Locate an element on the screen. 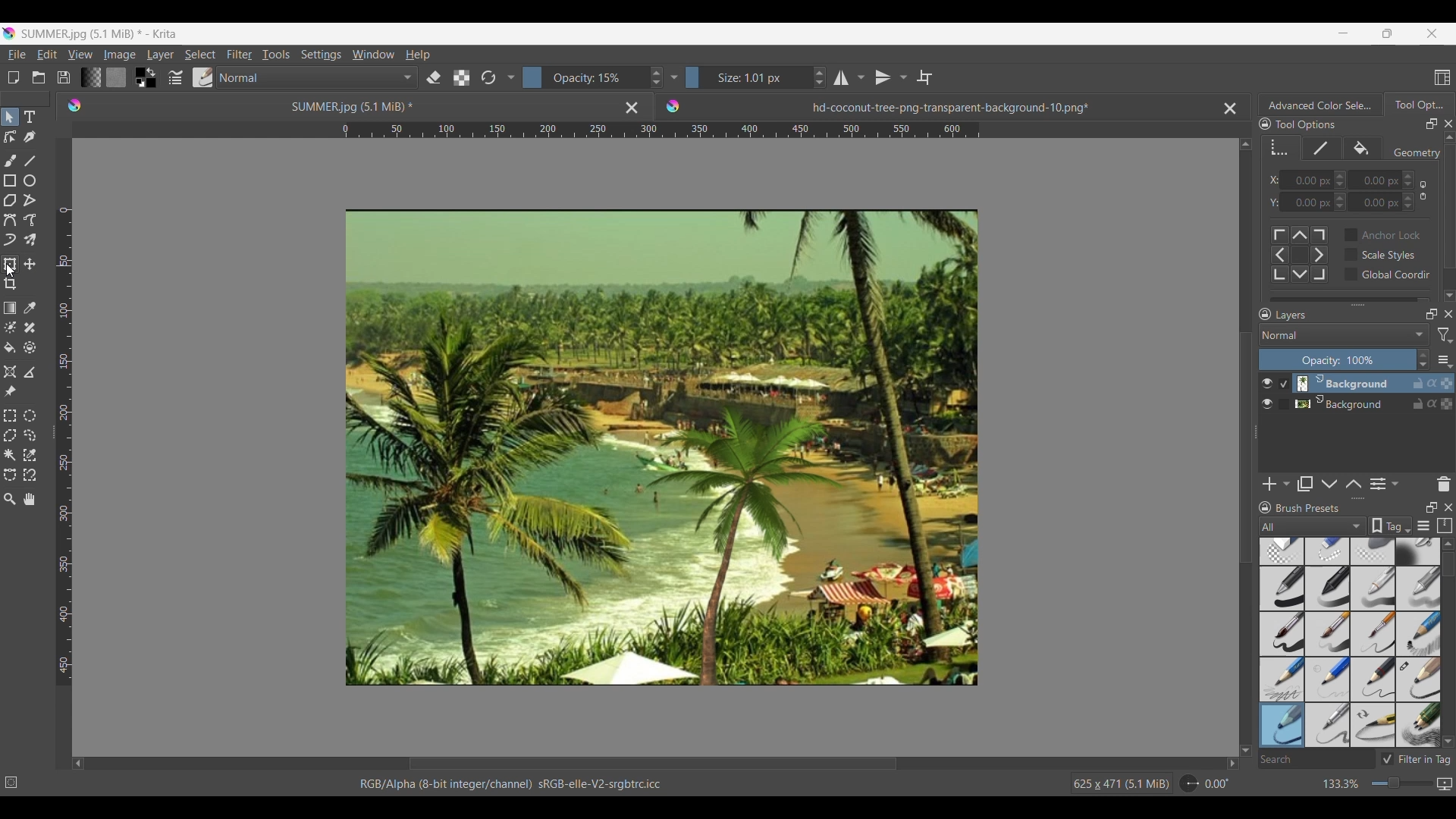 The image size is (1456, 819). Horizontal slider is located at coordinates (653, 764).